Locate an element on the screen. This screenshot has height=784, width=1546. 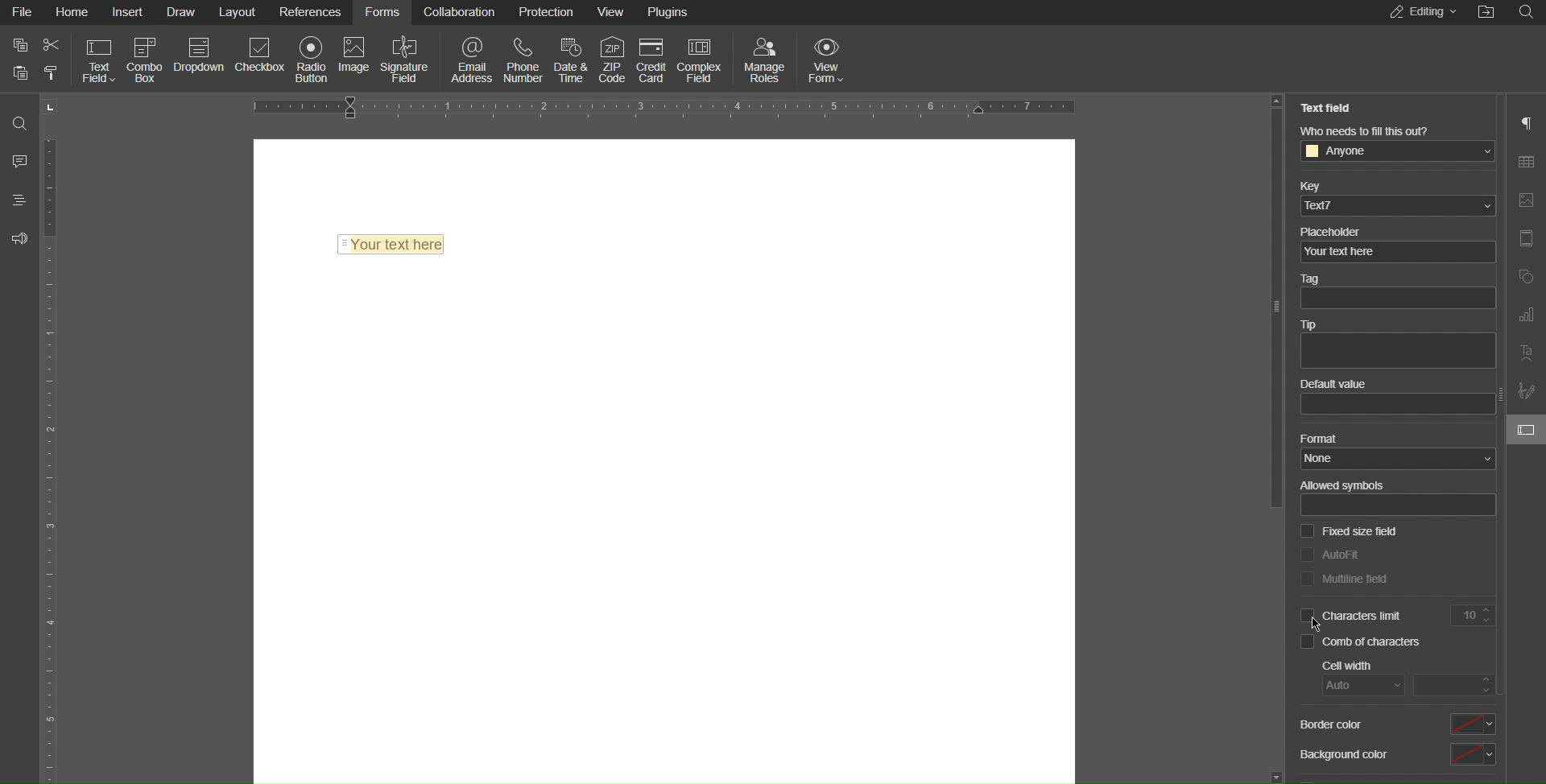
paste is located at coordinates (21, 72).